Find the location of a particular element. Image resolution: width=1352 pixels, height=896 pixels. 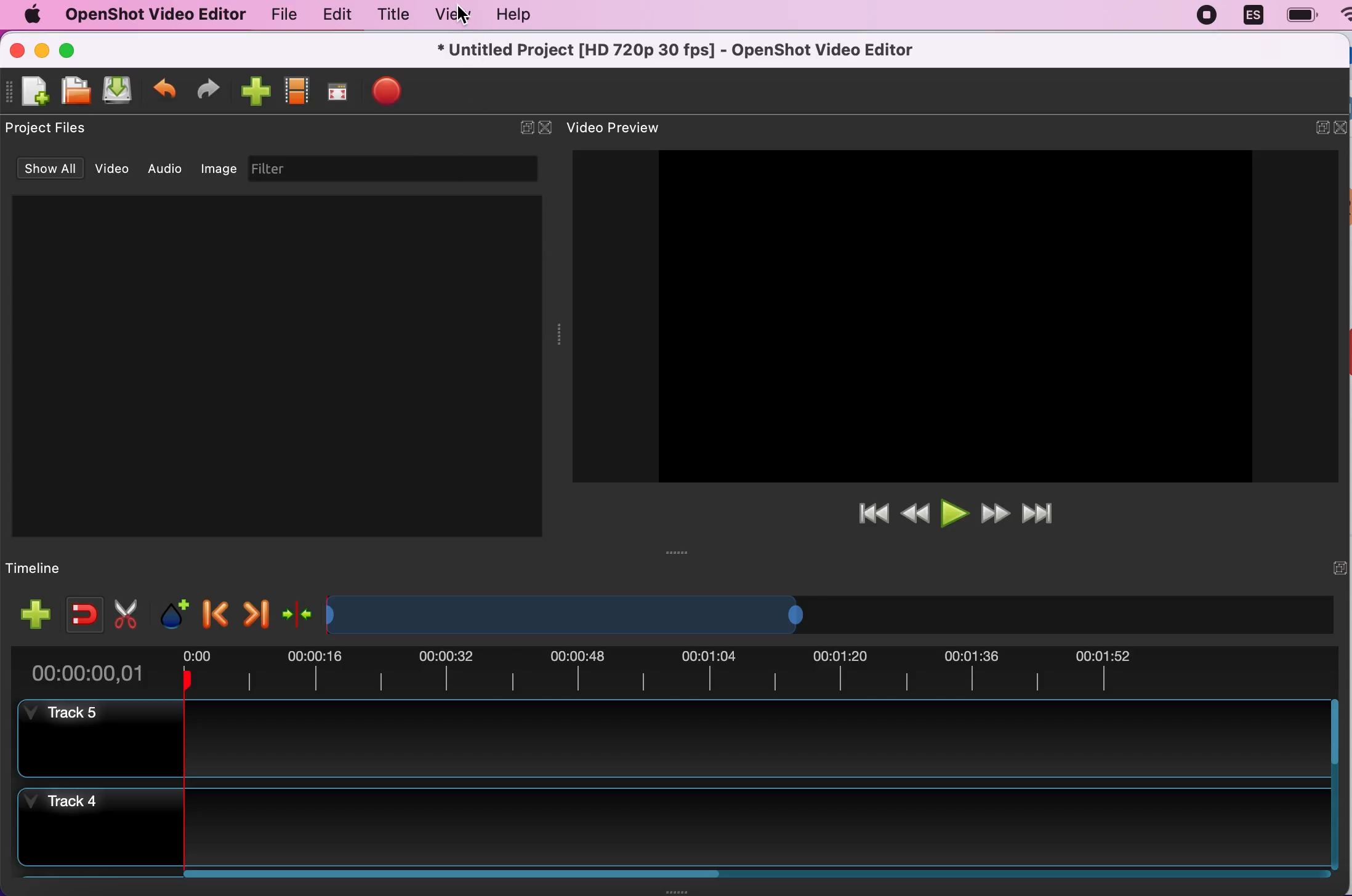

Image preview space is located at coordinates (952, 316).